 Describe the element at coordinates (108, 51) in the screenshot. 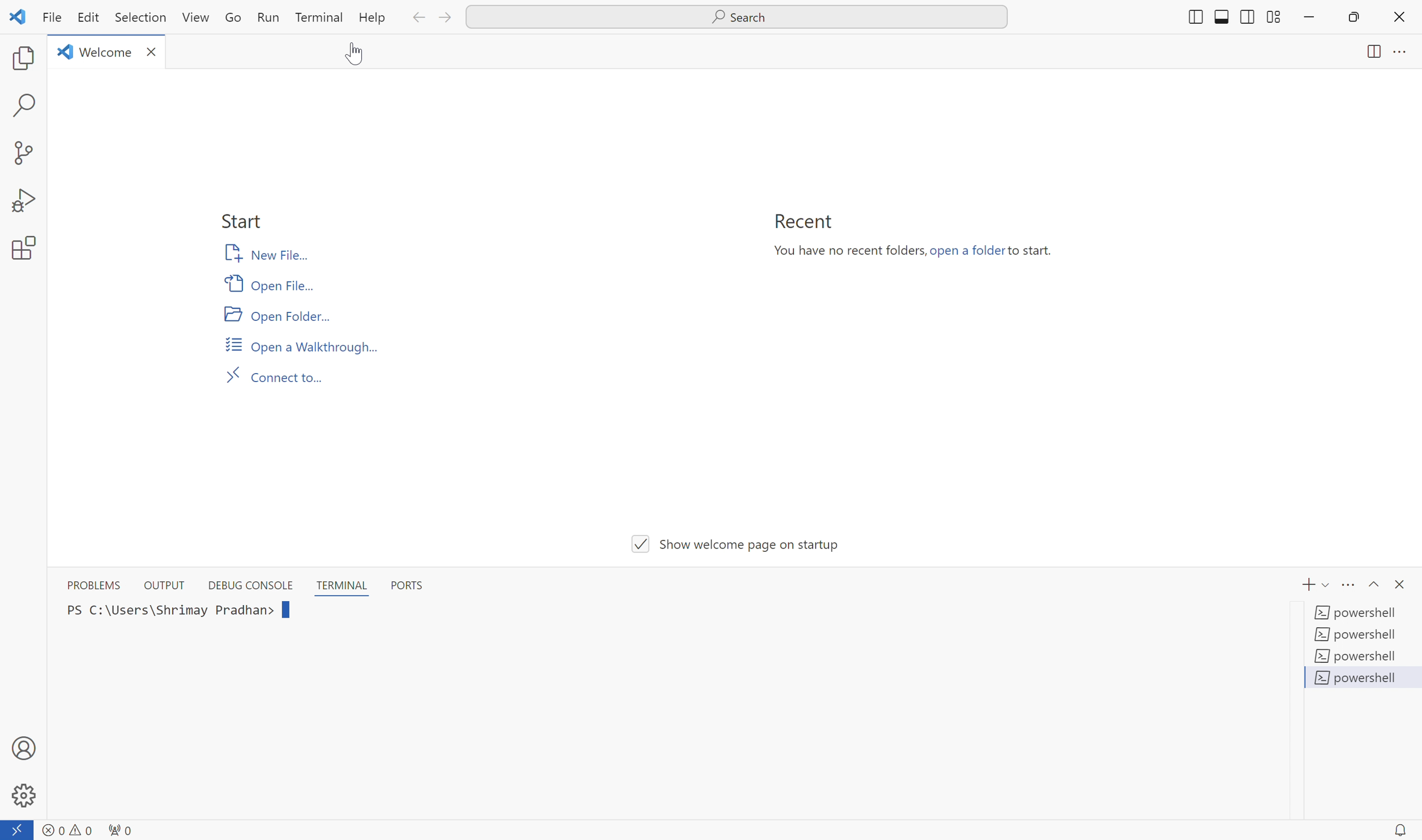

I see `Welcome ` at that location.